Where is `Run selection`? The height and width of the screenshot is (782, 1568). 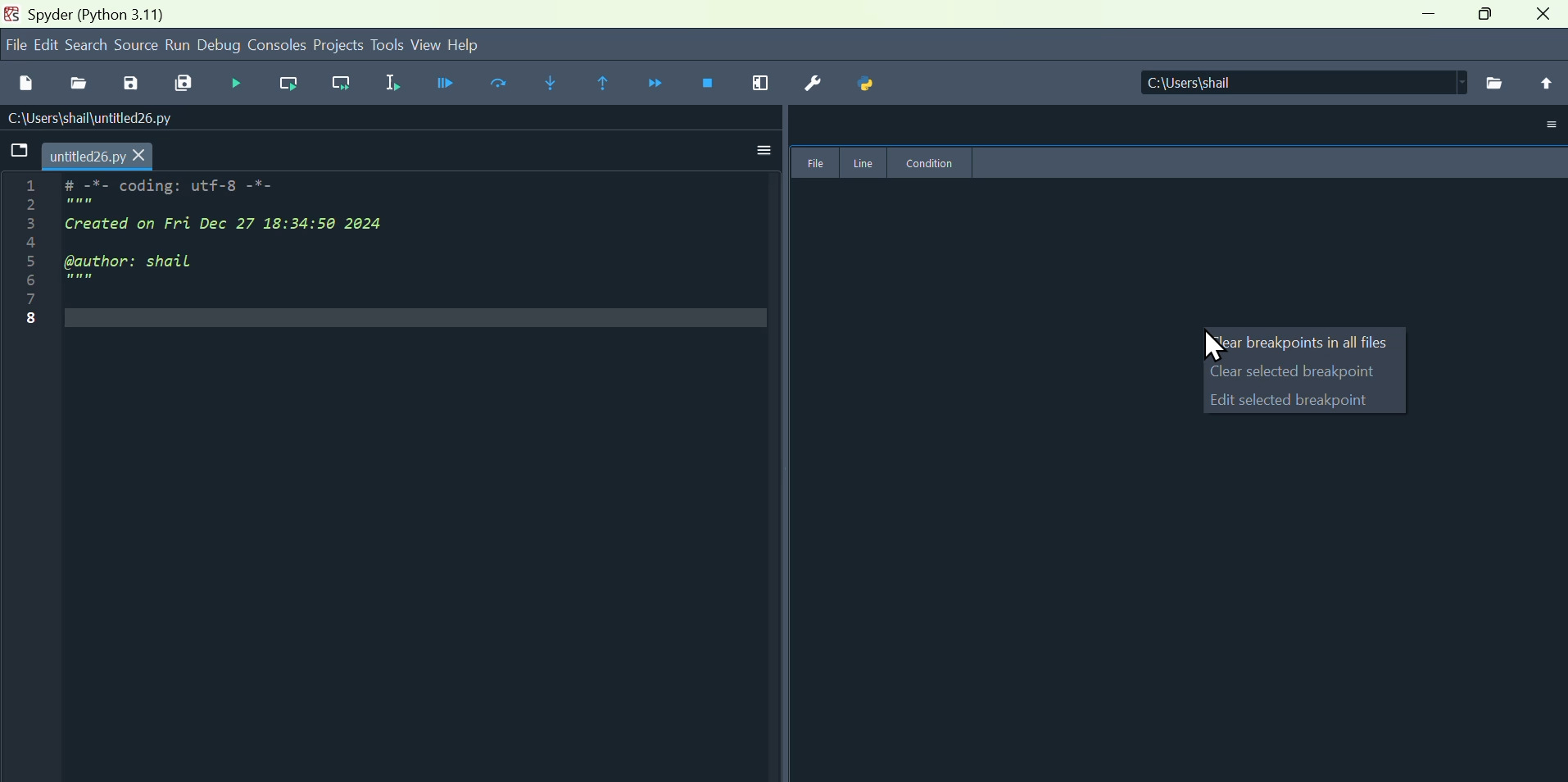 Run selection is located at coordinates (393, 84).